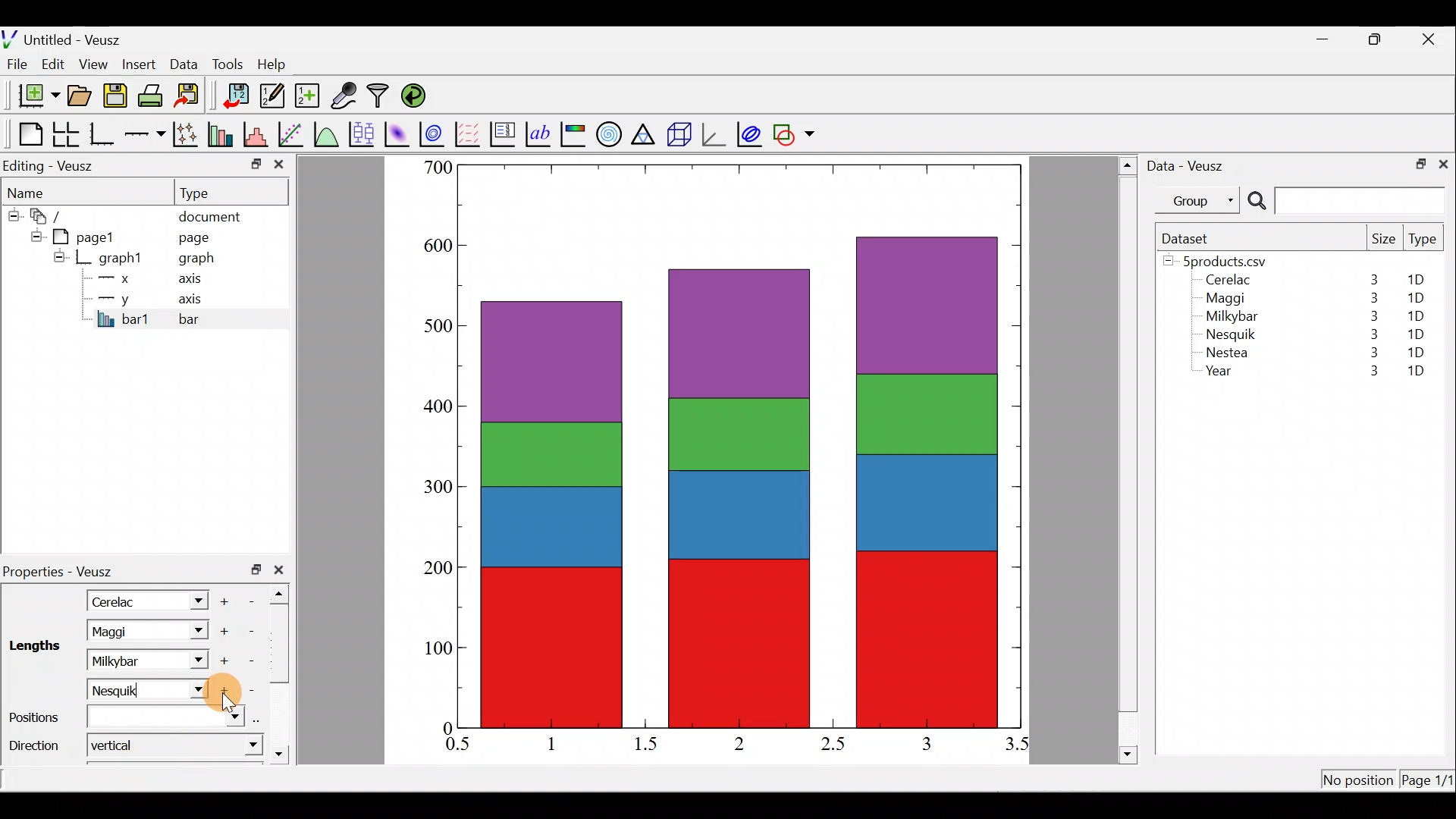 The width and height of the screenshot is (1456, 819). I want to click on y, so click(114, 297).